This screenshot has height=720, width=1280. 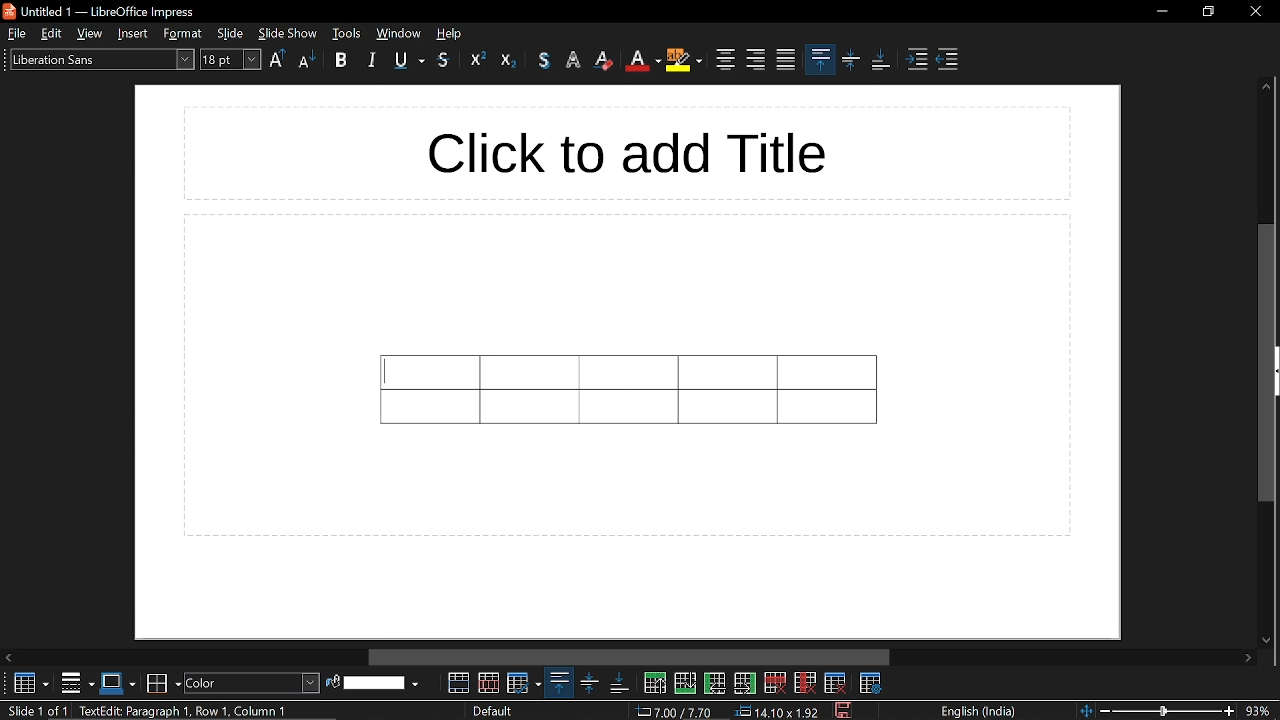 What do you see at coordinates (1107, 710) in the screenshot?
I see `zoom out` at bounding box center [1107, 710].